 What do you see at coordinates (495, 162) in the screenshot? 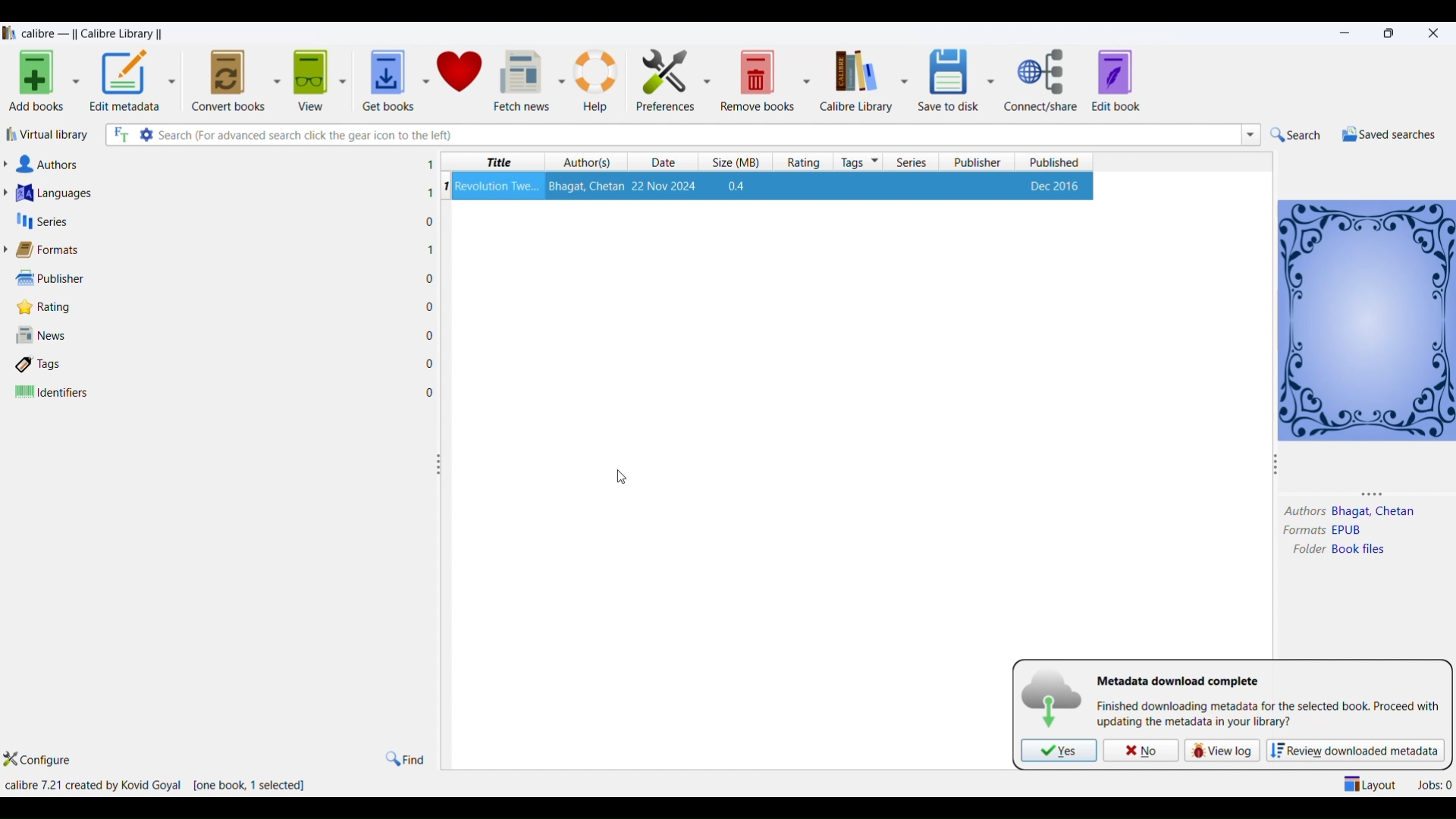
I see `title` at bounding box center [495, 162].